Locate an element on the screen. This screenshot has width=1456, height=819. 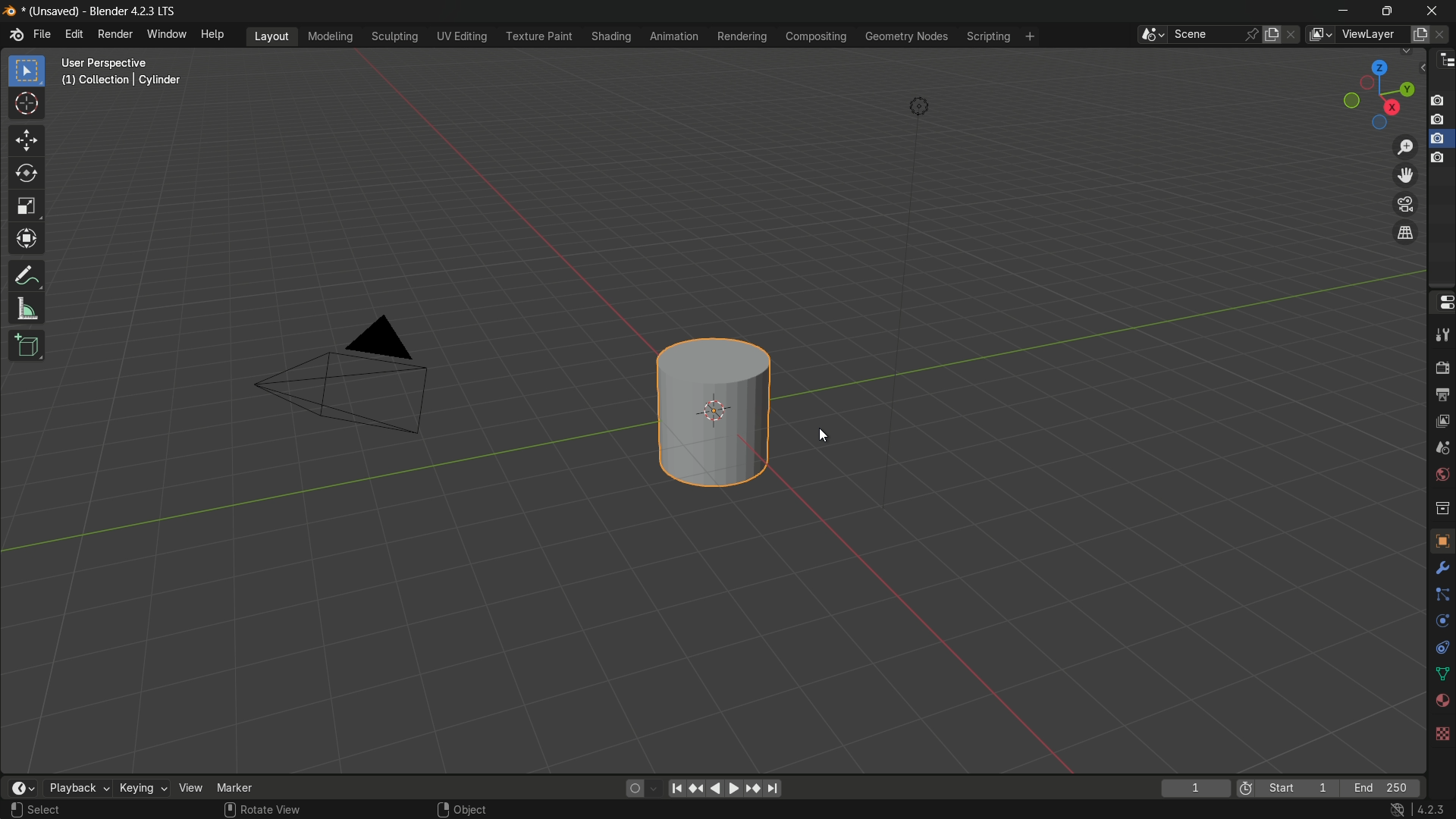
materials is located at coordinates (1439, 701).